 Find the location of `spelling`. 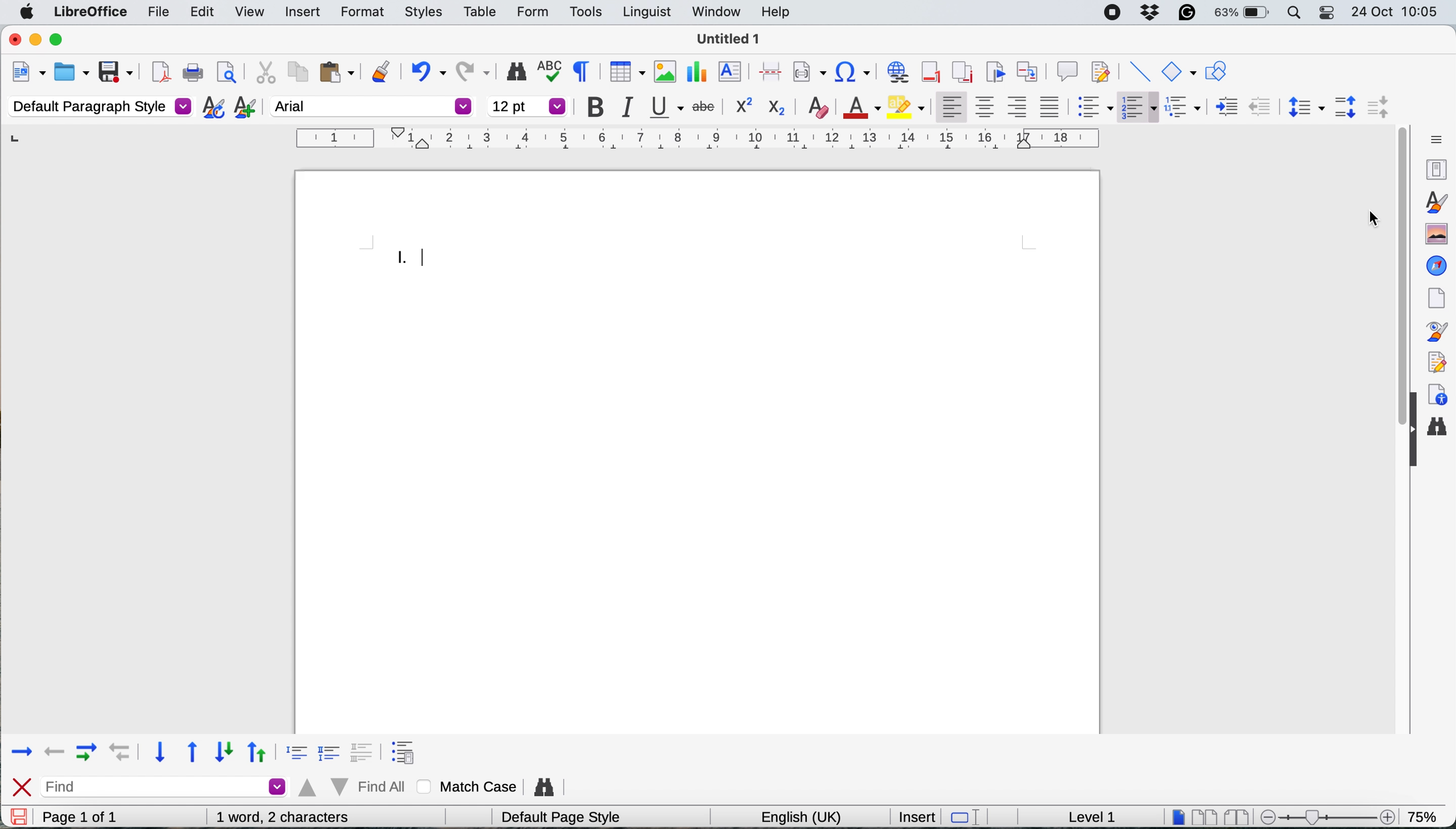

spelling is located at coordinates (553, 71).